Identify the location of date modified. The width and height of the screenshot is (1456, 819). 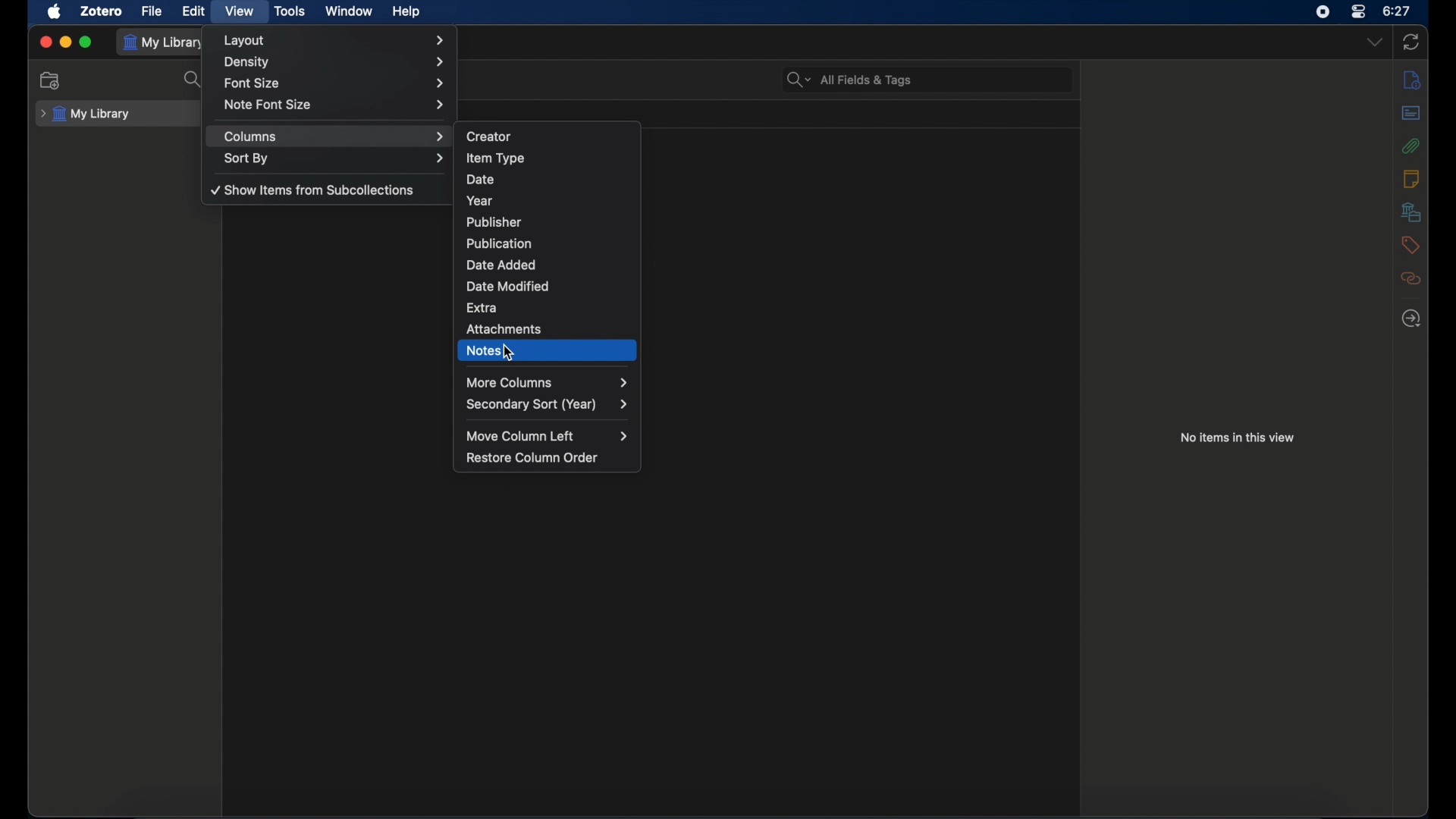
(508, 286).